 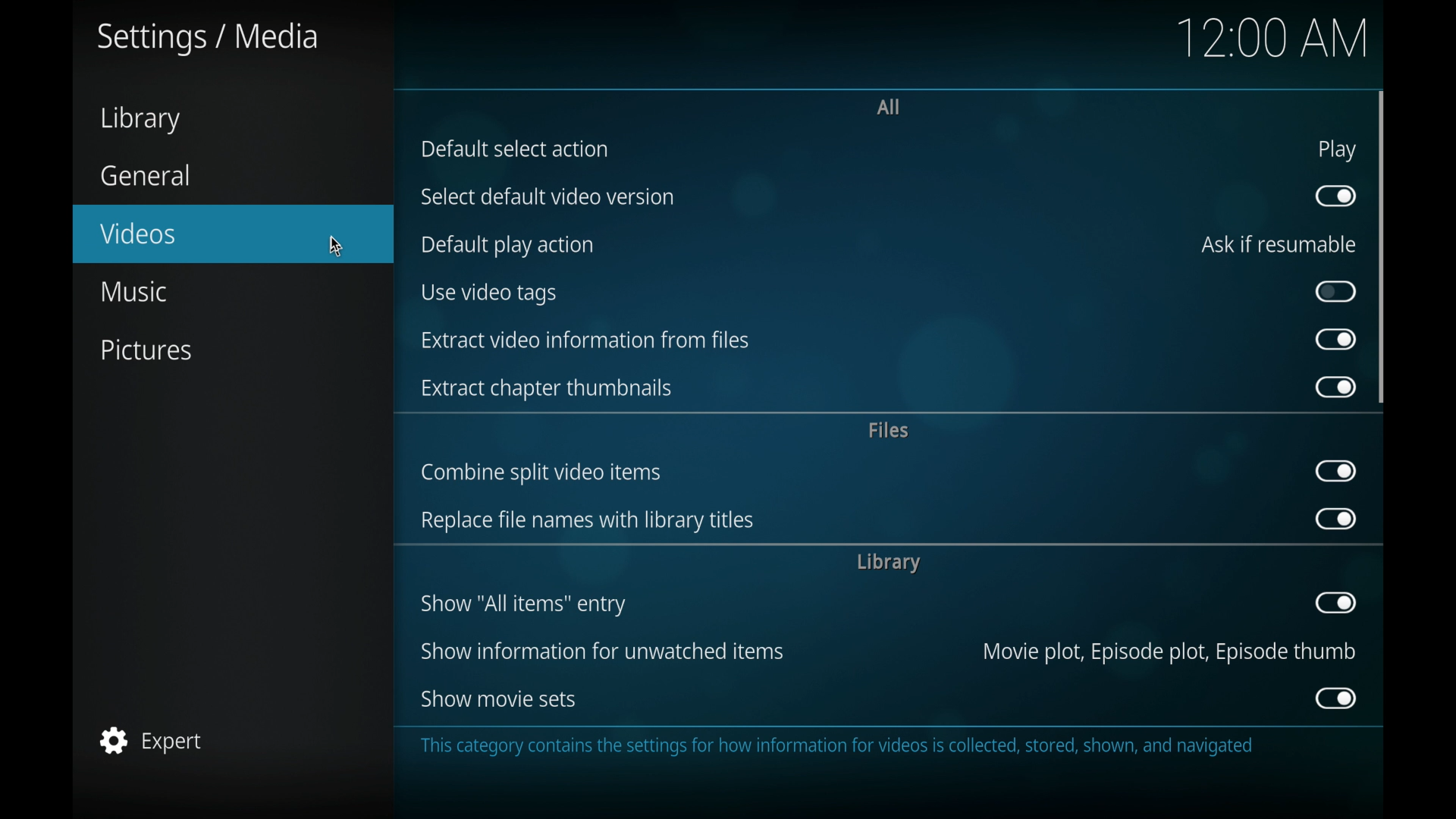 What do you see at coordinates (843, 745) in the screenshot?
I see `This category contains the settings for how information for videos is collected, stored, shown, and navigated` at bounding box center [843, 745].